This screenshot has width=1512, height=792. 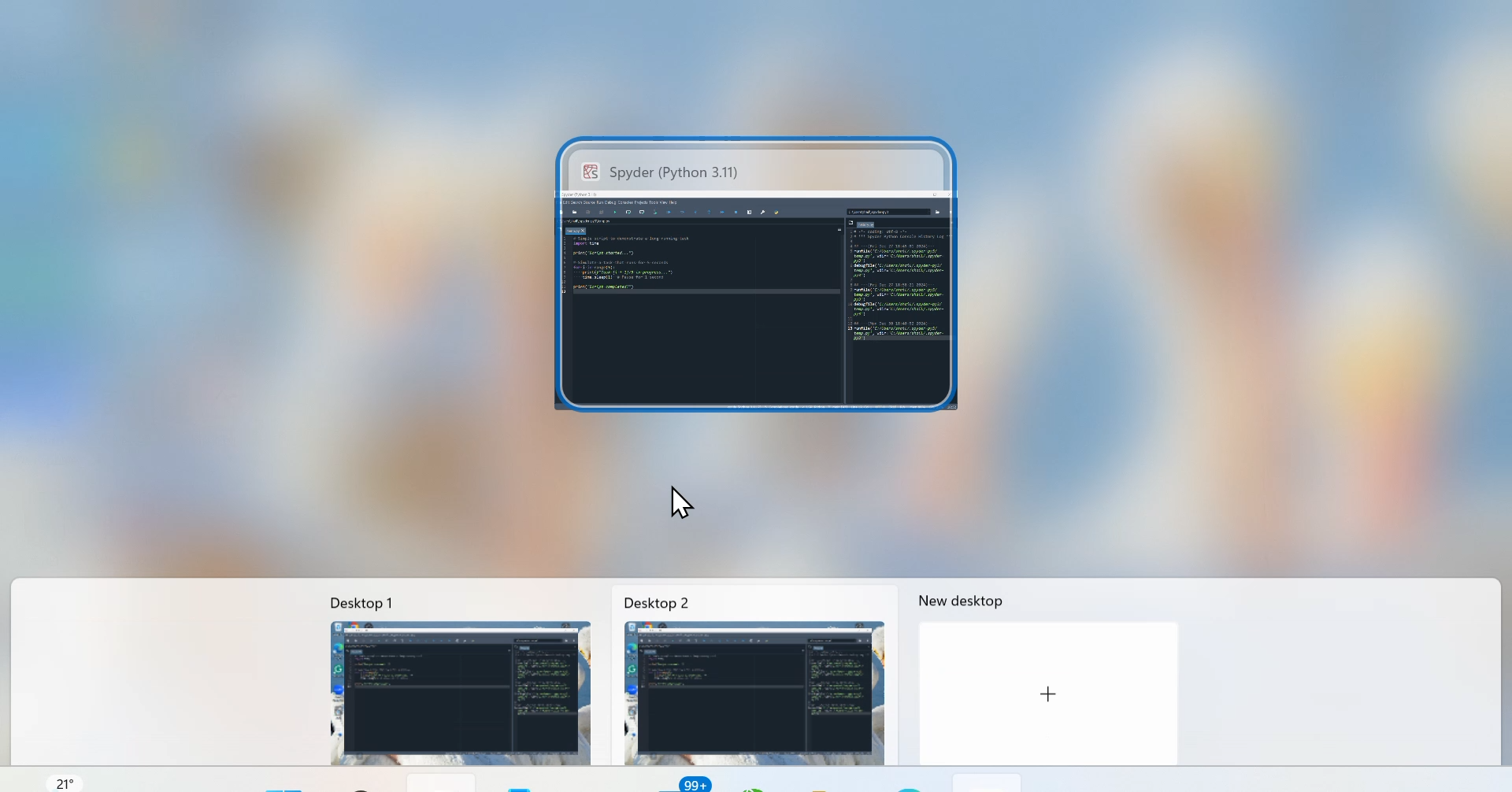 I want to click on Cursor, so click(x=678, y=492).